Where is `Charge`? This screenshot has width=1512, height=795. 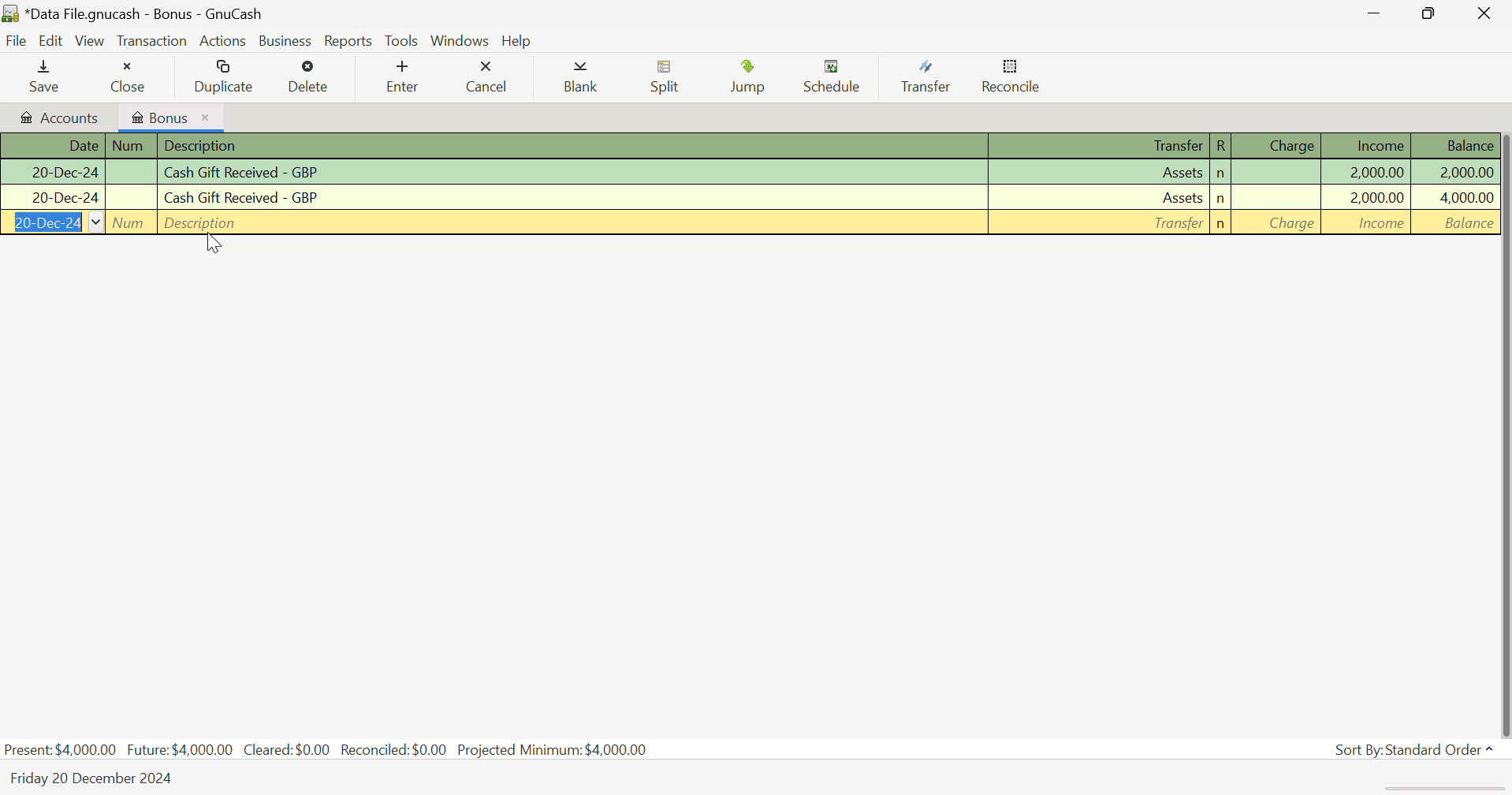 Charge is located at coordinates (1279, 174).